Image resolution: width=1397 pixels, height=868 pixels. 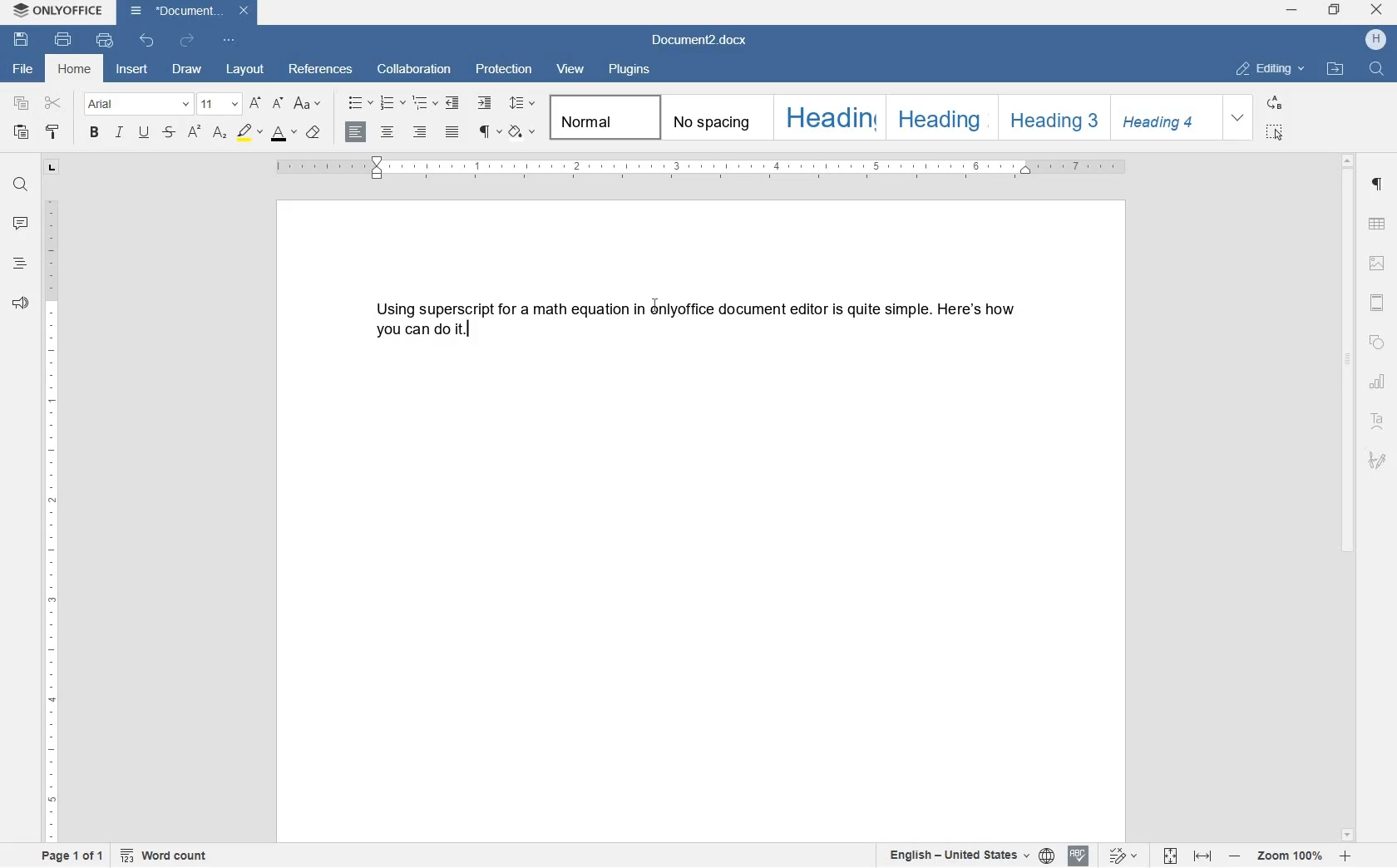 What do you see at coordinates (254, 104) in the screenshot?
I see `increment font size` at bounding box center [254, 104].